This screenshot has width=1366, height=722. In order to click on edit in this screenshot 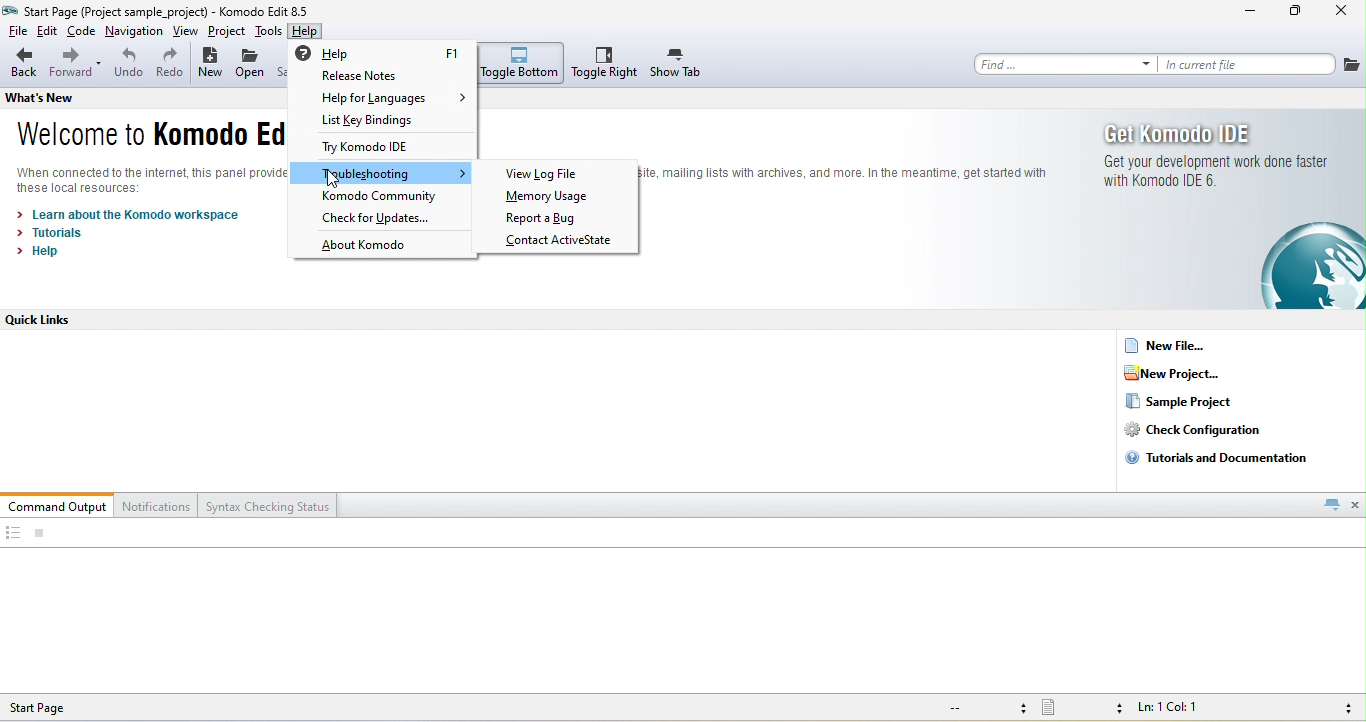, I will do `click(48, 32)`.